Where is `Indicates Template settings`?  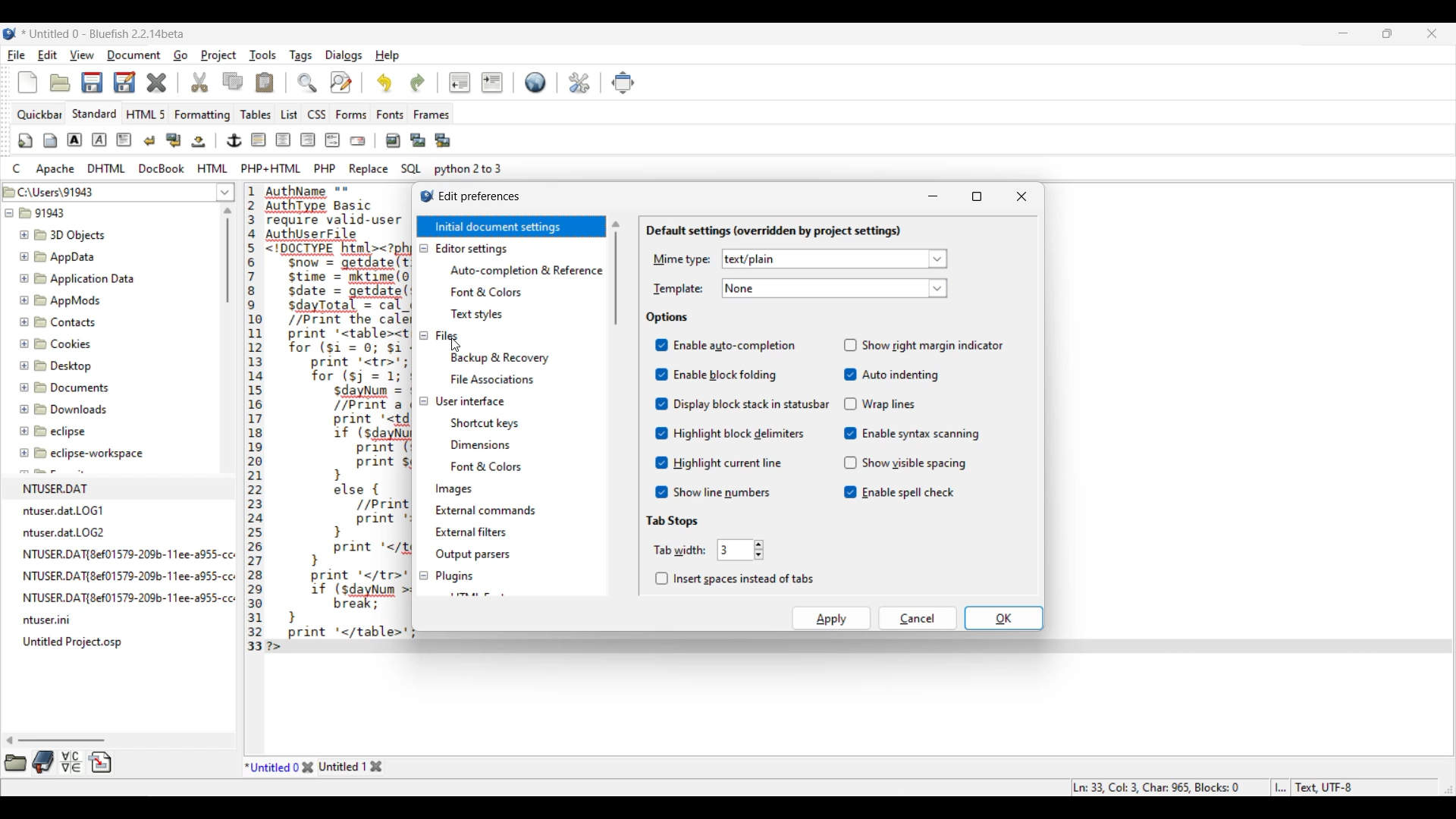 Indicates Template settings is located at coordinates (679, 290).